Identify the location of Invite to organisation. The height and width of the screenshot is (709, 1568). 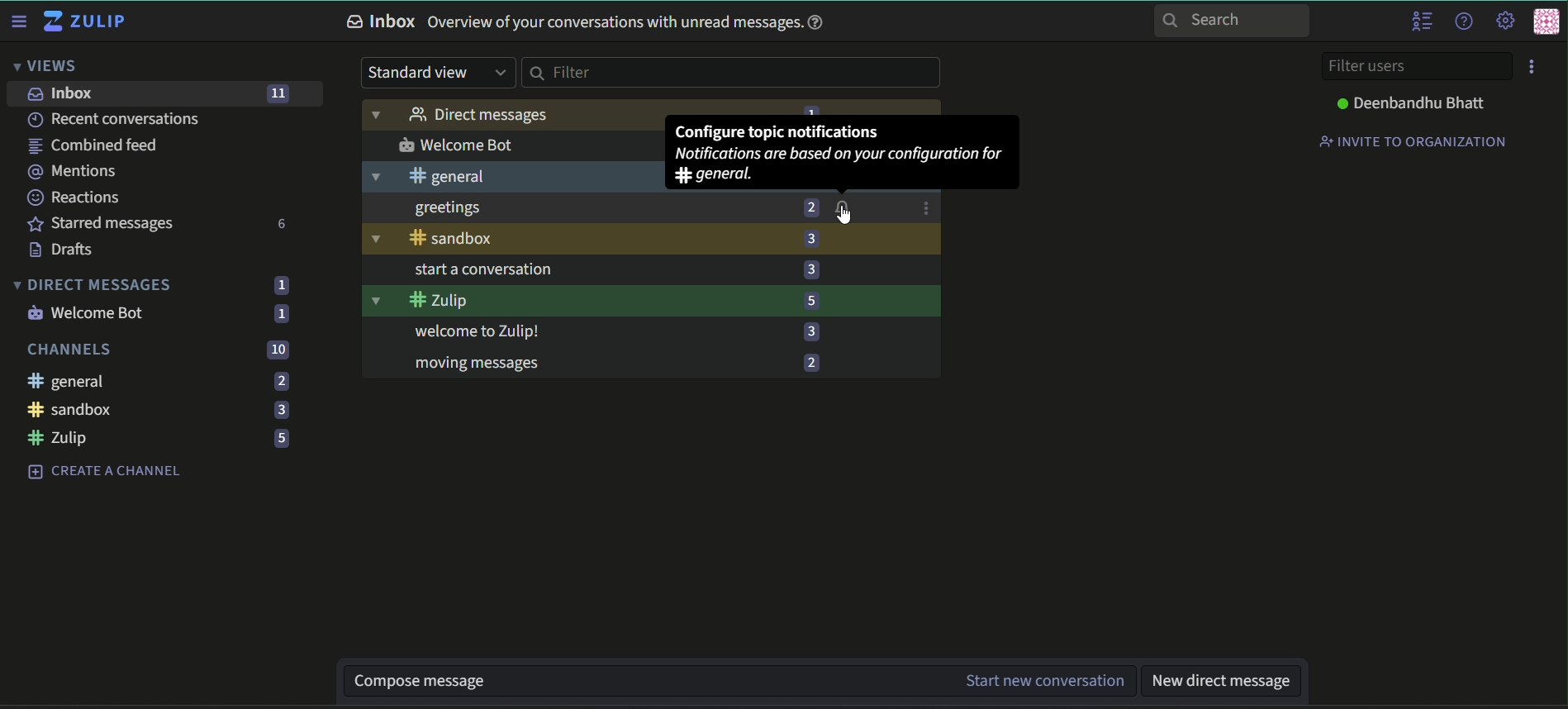
(1414, 140).